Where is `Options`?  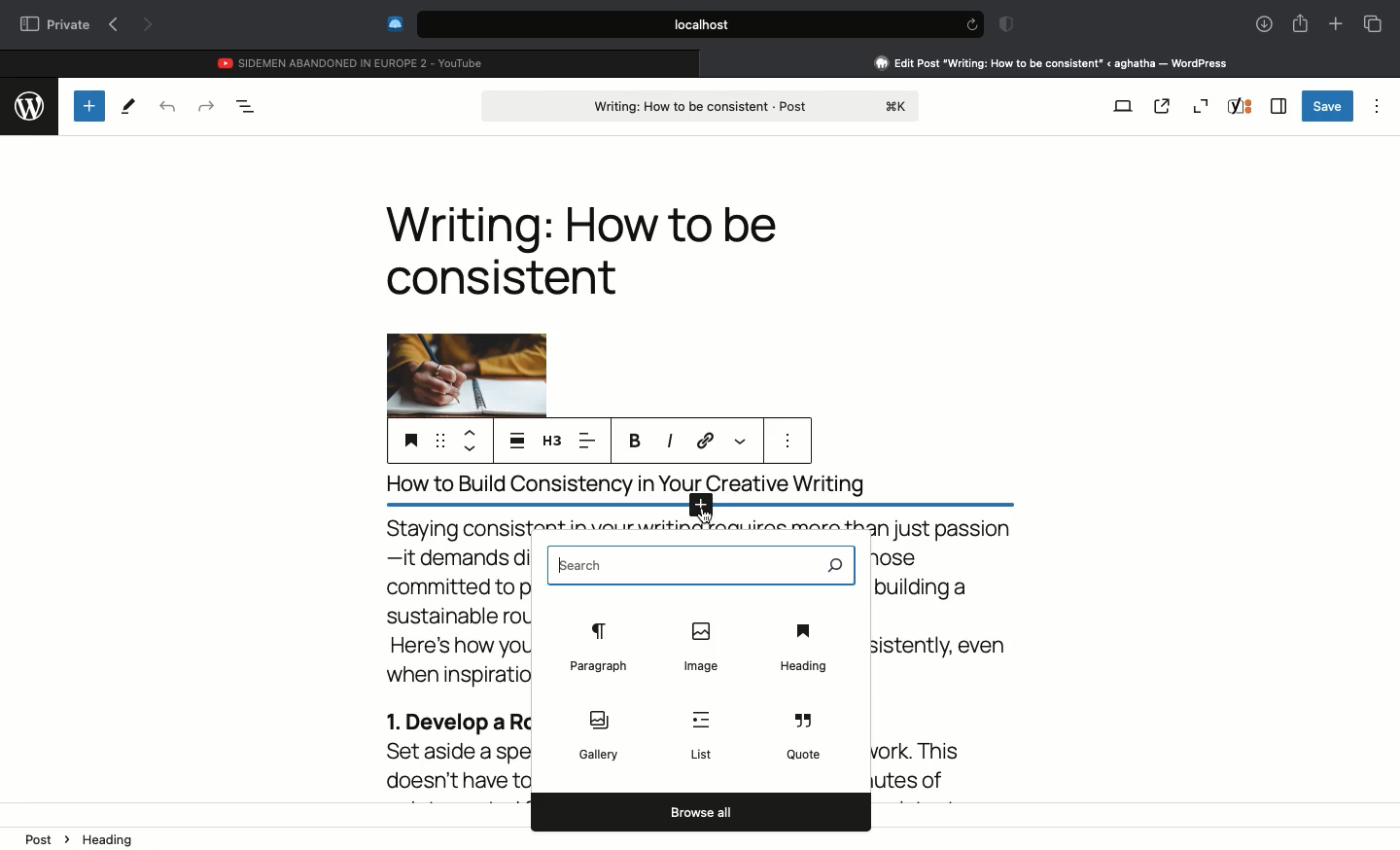
Options is located at coordinates (1379, 103).